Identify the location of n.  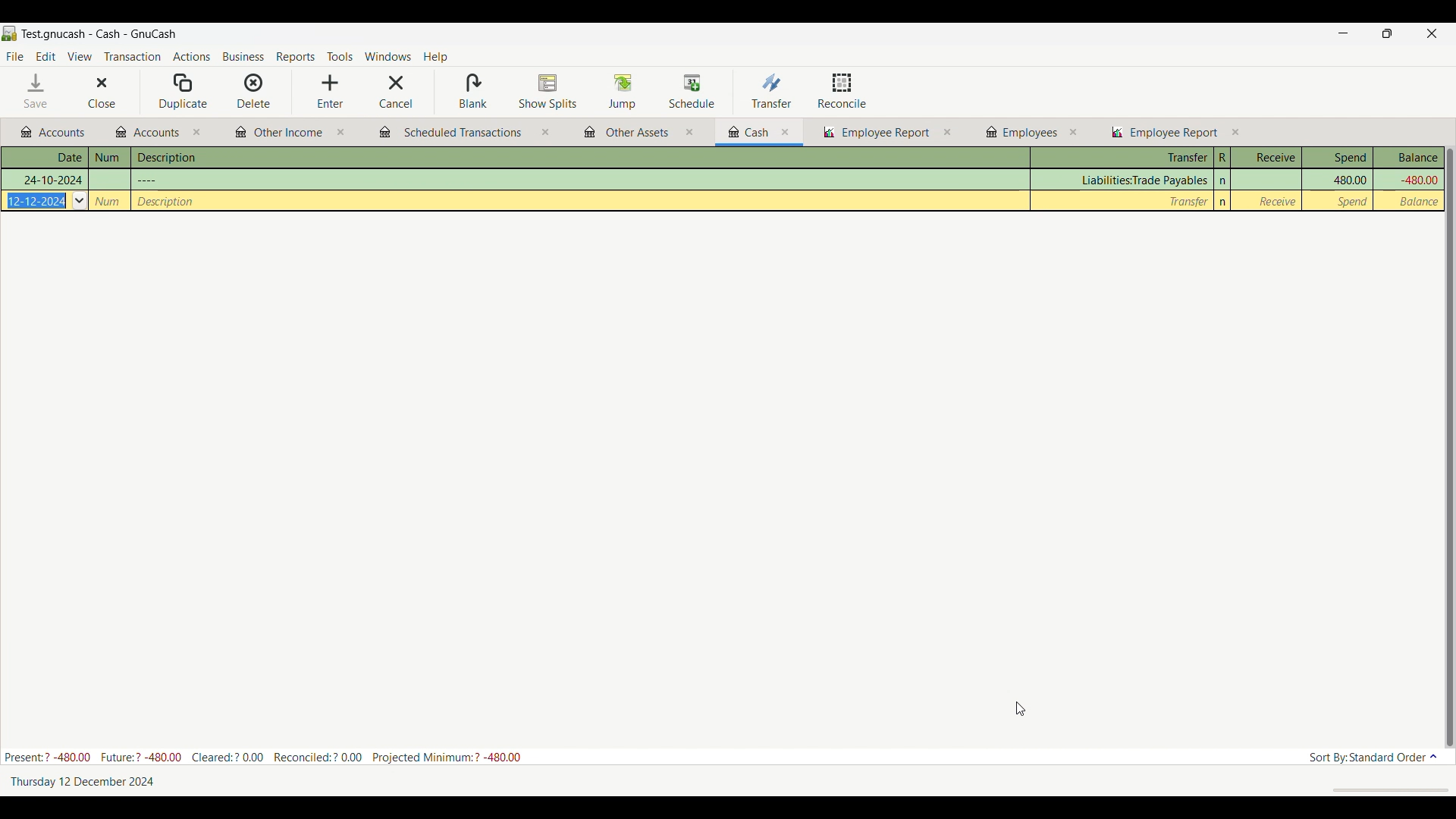
(1223, 202).